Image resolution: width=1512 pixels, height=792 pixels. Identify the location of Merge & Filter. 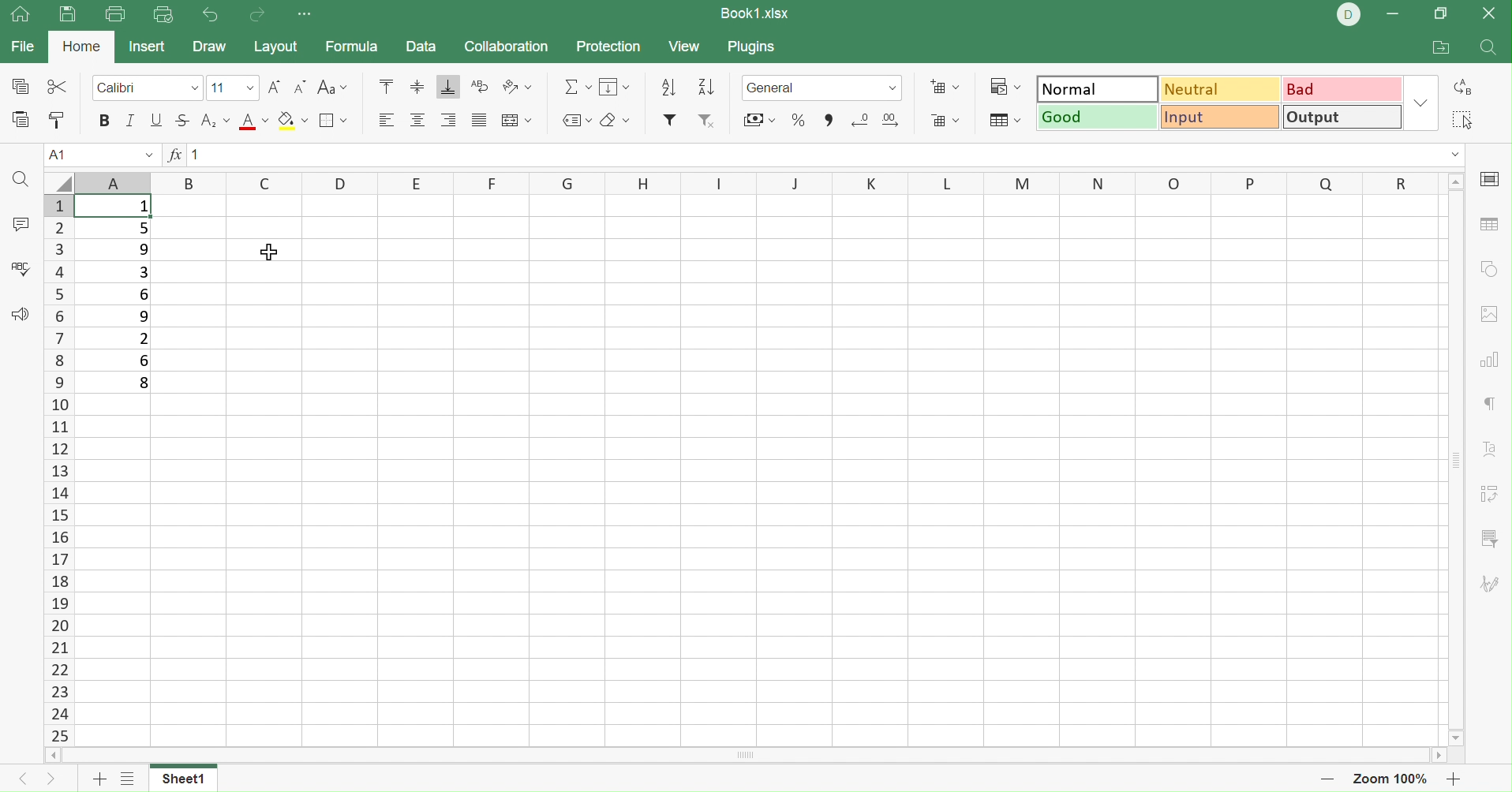
(759, 121).